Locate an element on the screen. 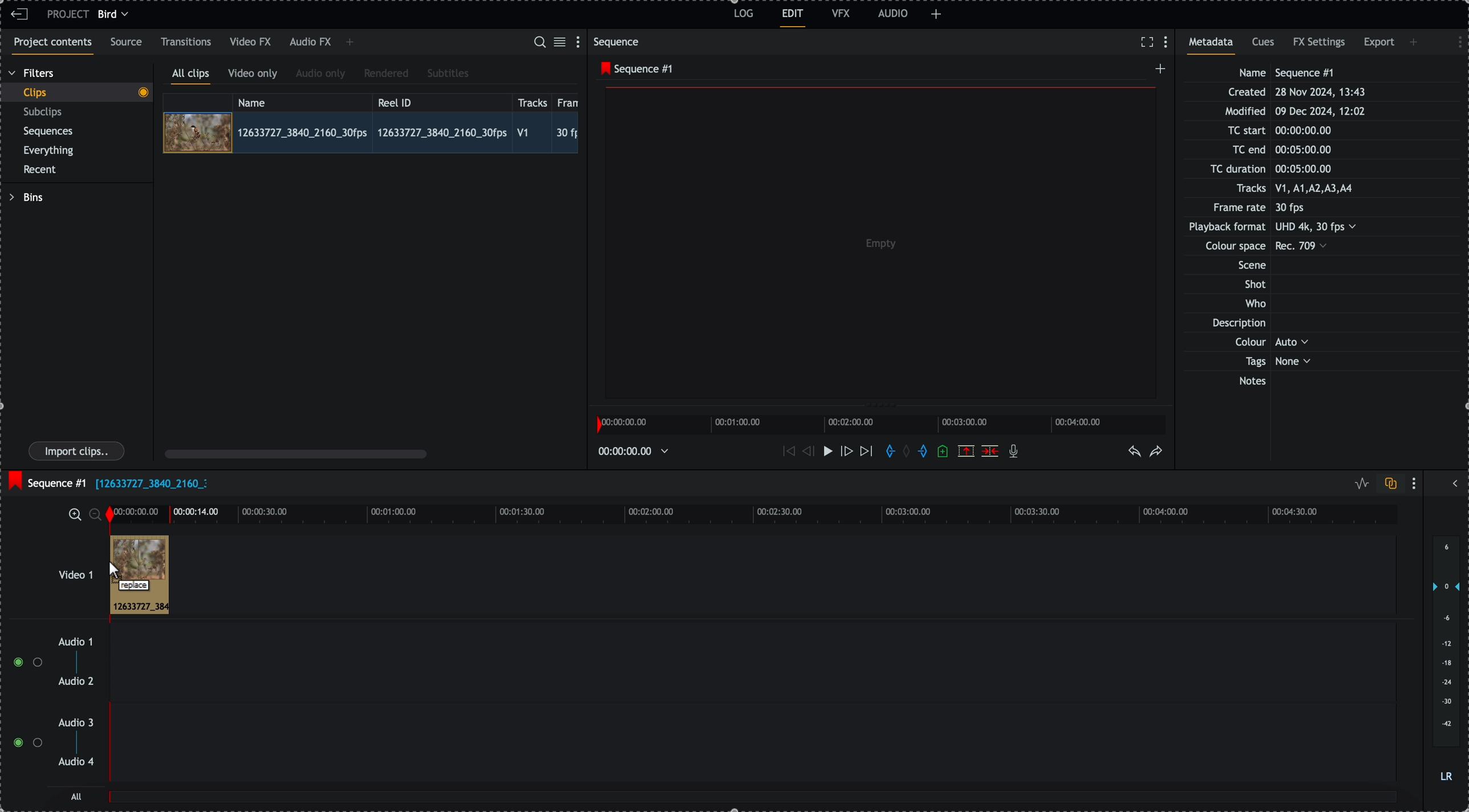 Image resolution: width=1469 pixels, height=812 pixels. show settings menu is located at coordinates (581, 41).